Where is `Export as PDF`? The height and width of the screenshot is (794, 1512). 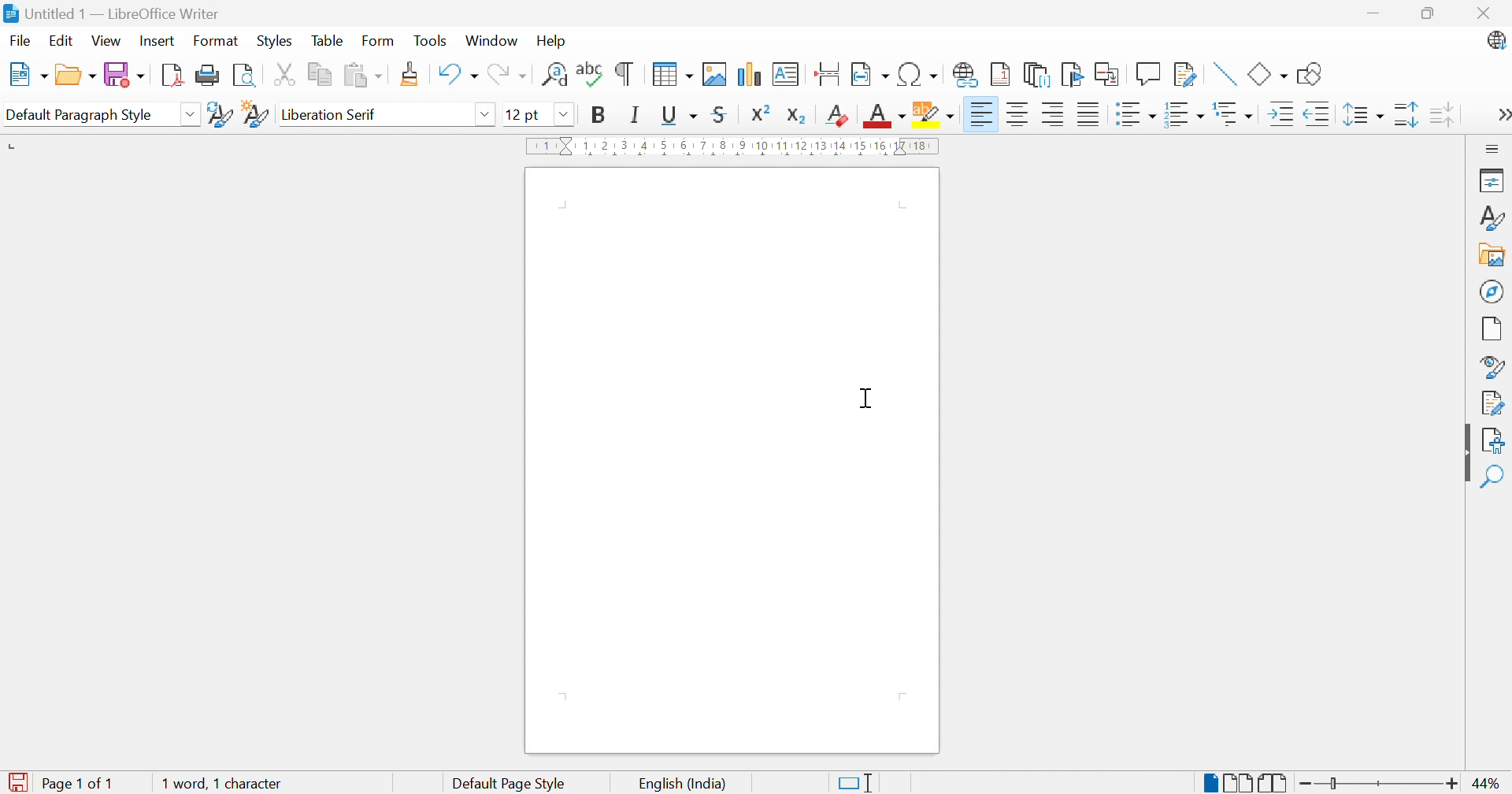 Export as PDF is located at coordinates (174, 74).